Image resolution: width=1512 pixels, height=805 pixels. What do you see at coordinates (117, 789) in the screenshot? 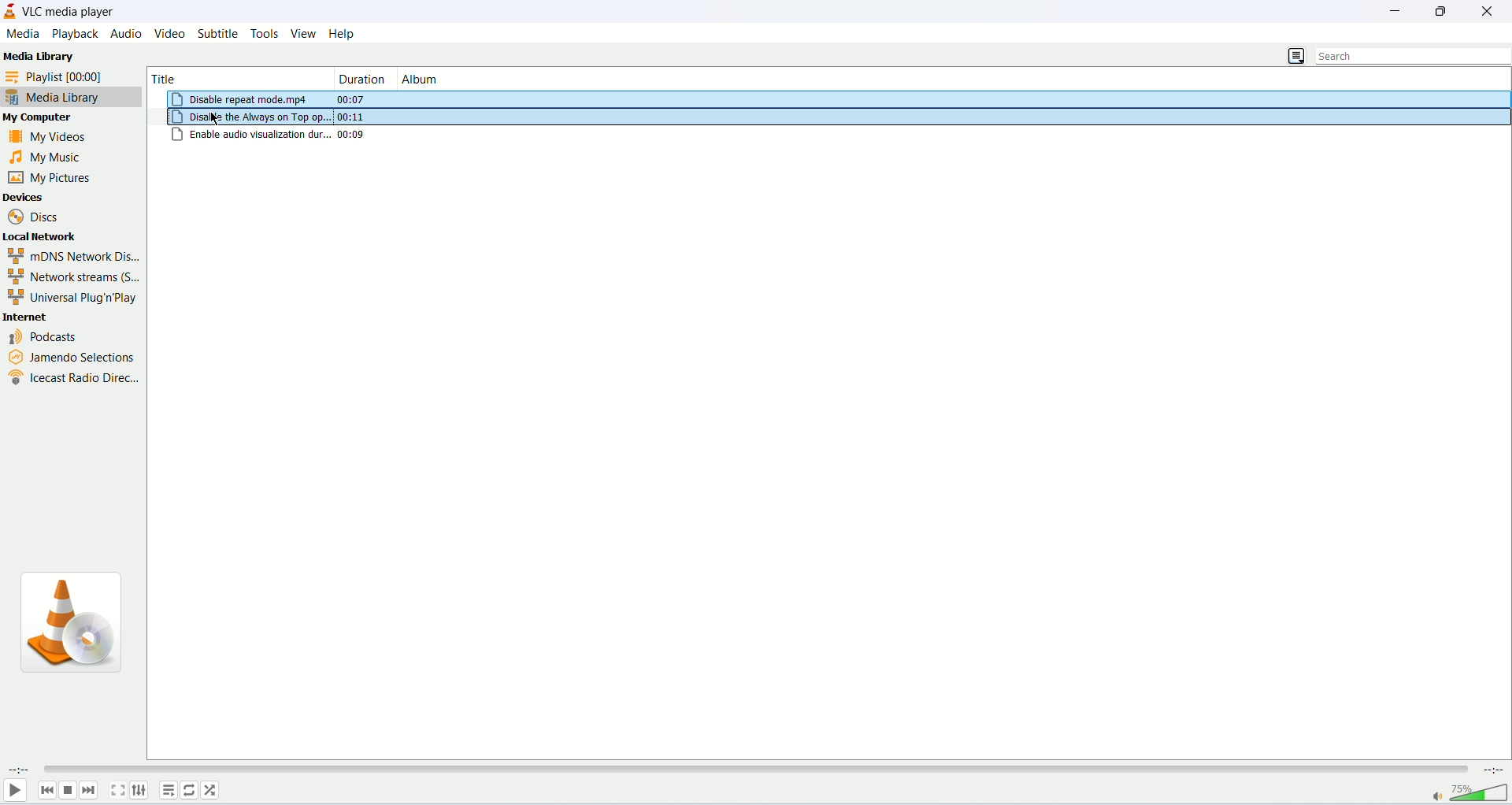
I see `fullscreen` at bounding box center [117, 789].